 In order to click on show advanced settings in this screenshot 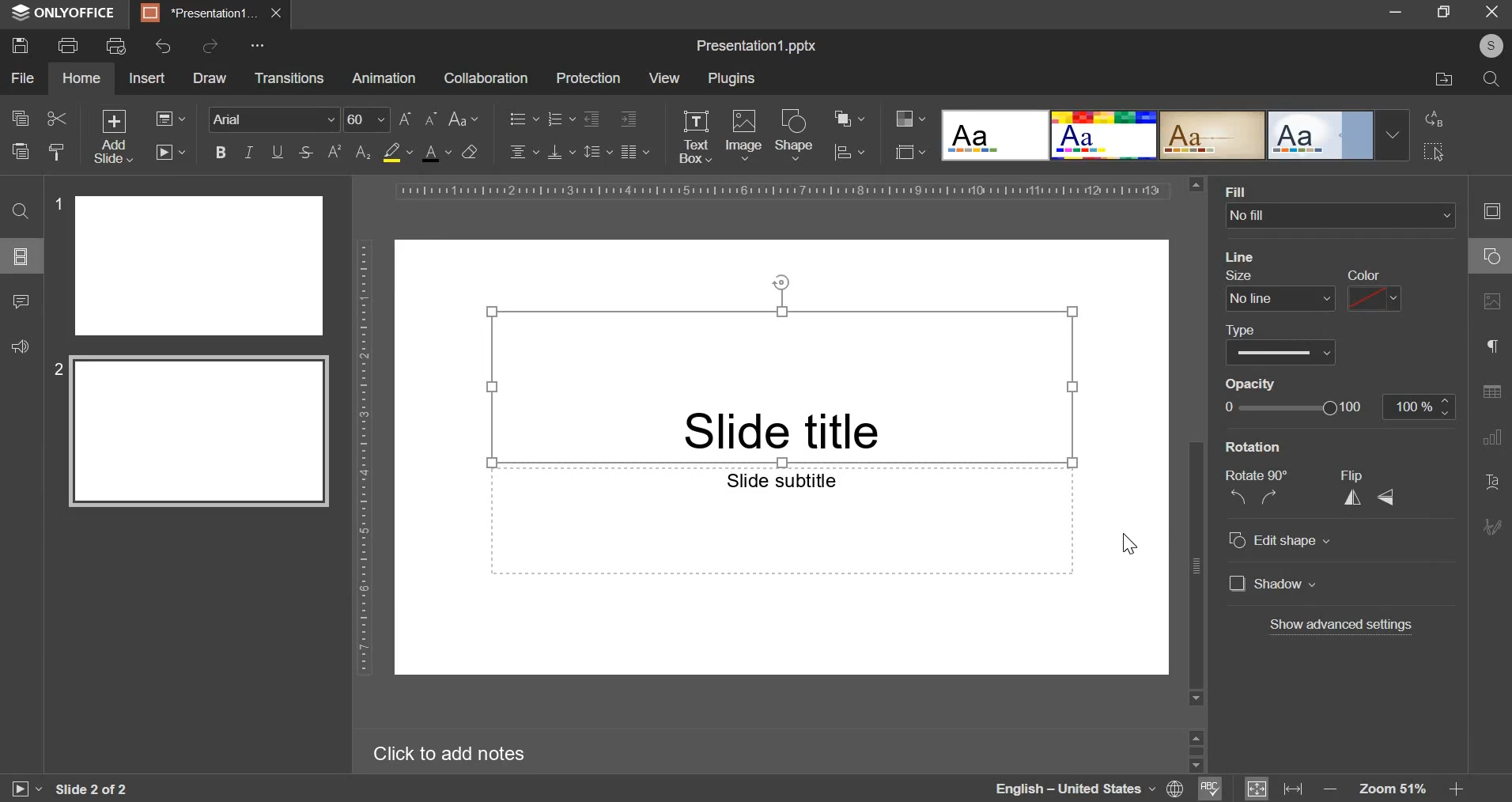, I will do `click(1344, 626)`.